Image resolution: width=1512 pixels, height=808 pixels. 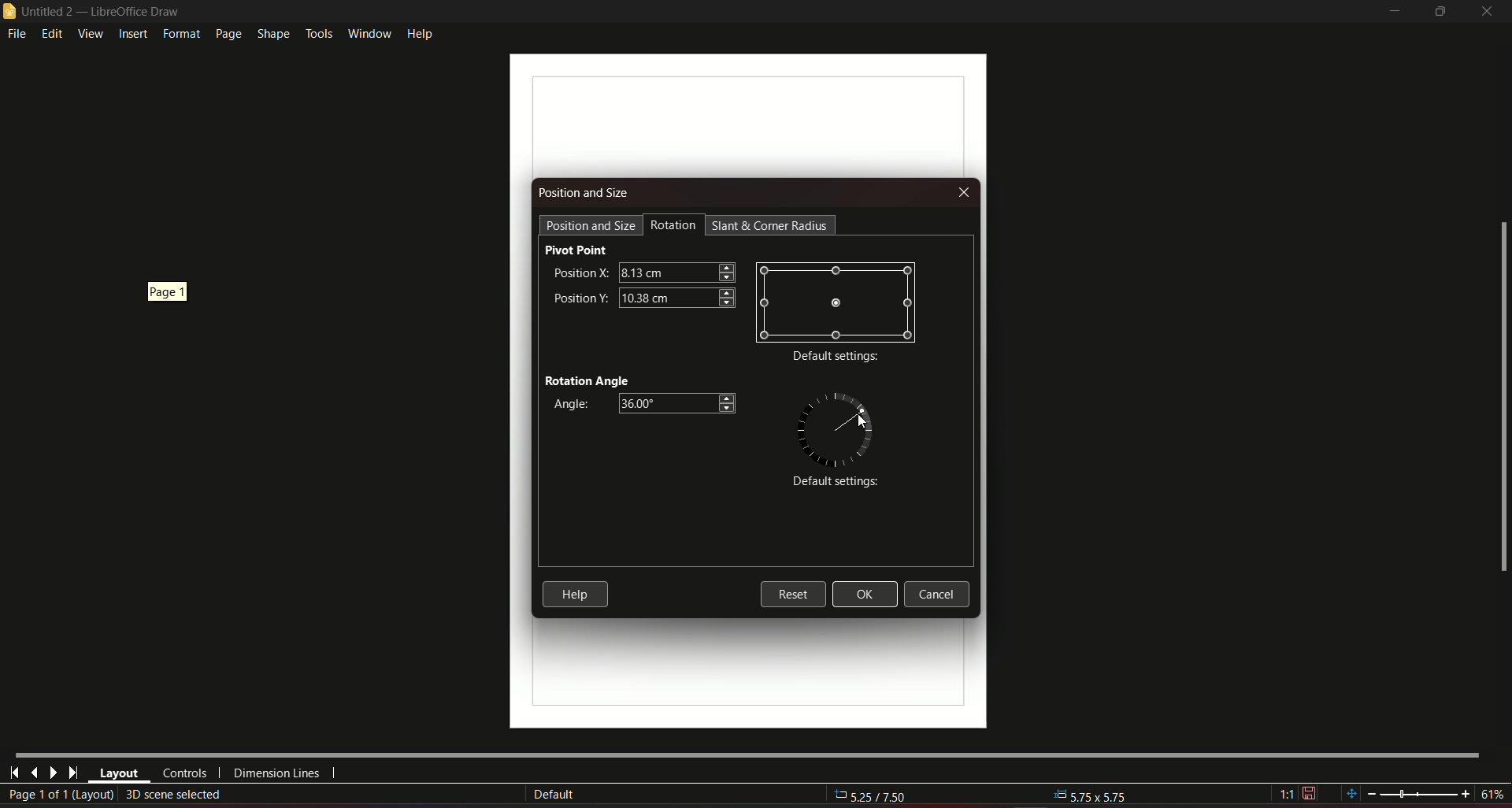 What do you see at coordinates (792, 593) in the screenshot?
I see `Reset` at bounding box center [792, 593].